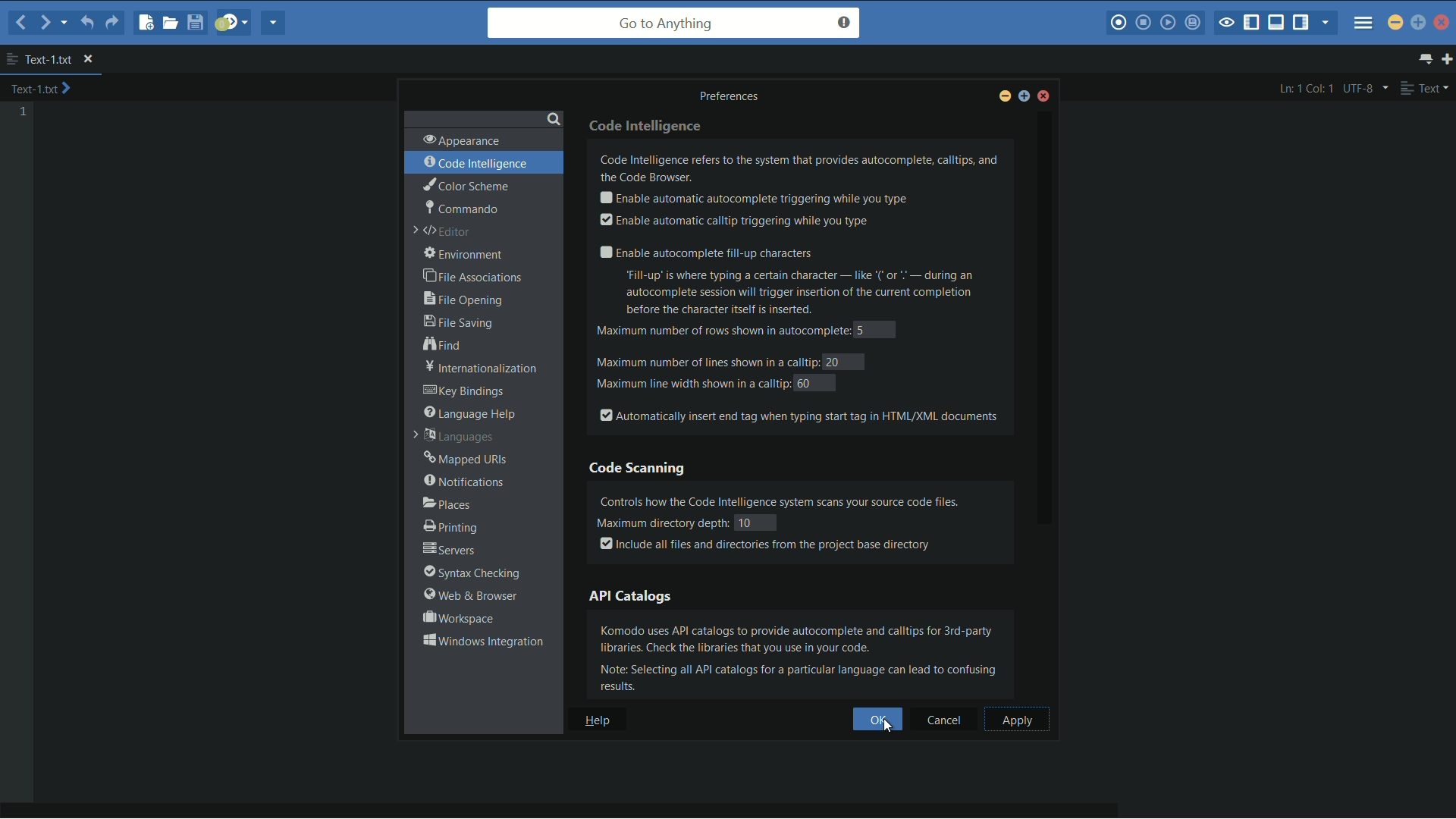 This screenshot has width=1456, height=819. I want to click on environment, so click(465, 255).